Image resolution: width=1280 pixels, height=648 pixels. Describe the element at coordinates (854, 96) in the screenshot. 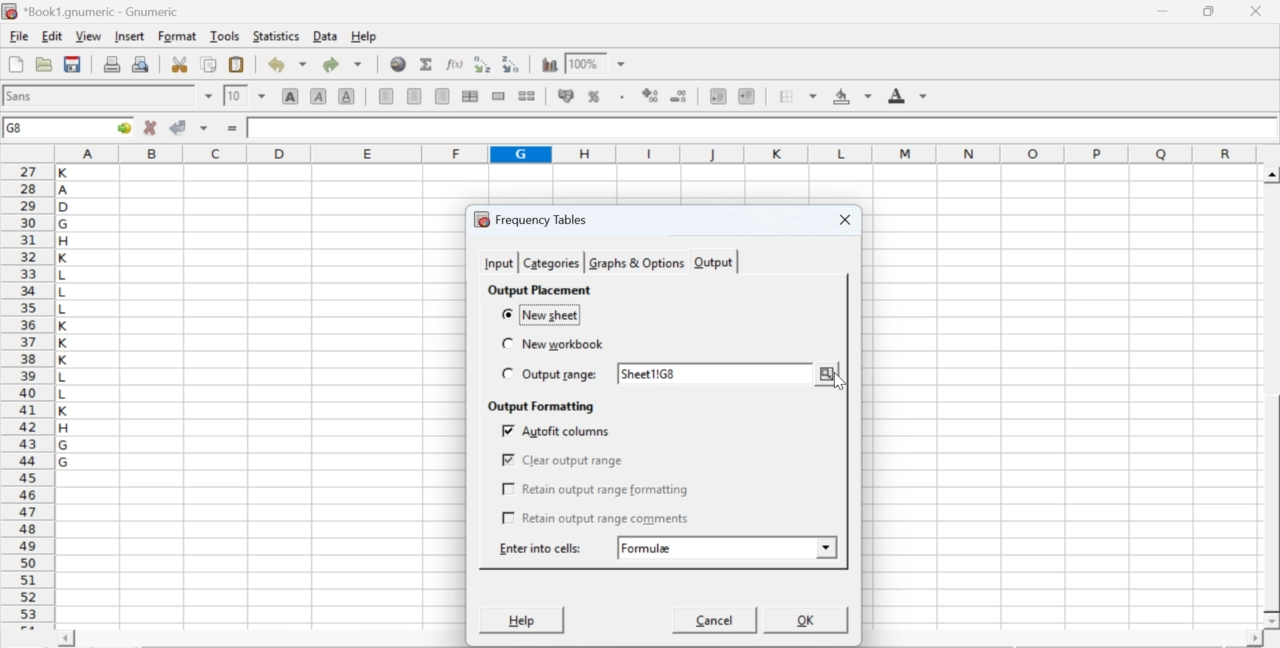

I see `background` at that location.